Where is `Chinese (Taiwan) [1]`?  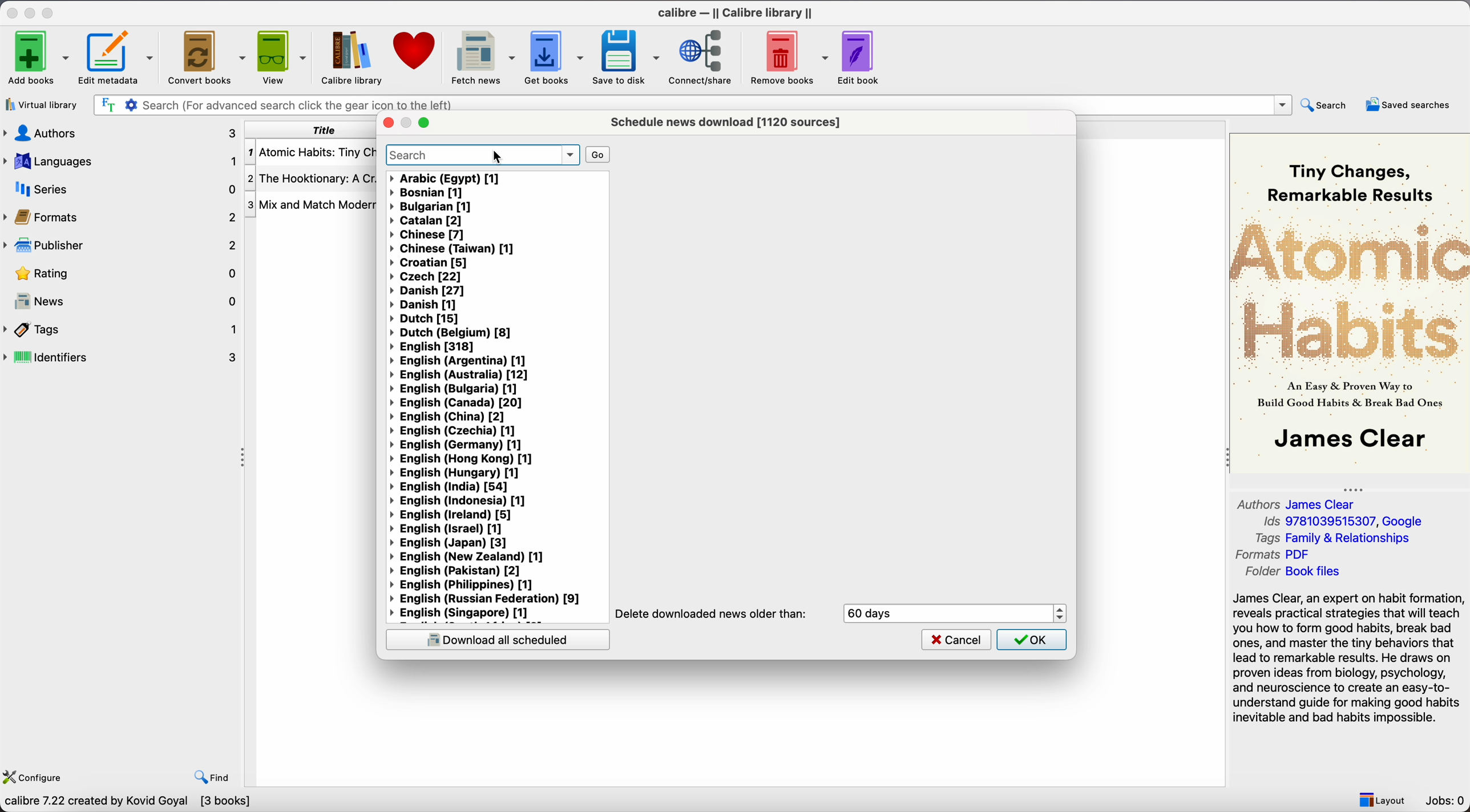
Chinese (Taiwan) [1] is located at coordinates (452, 248).